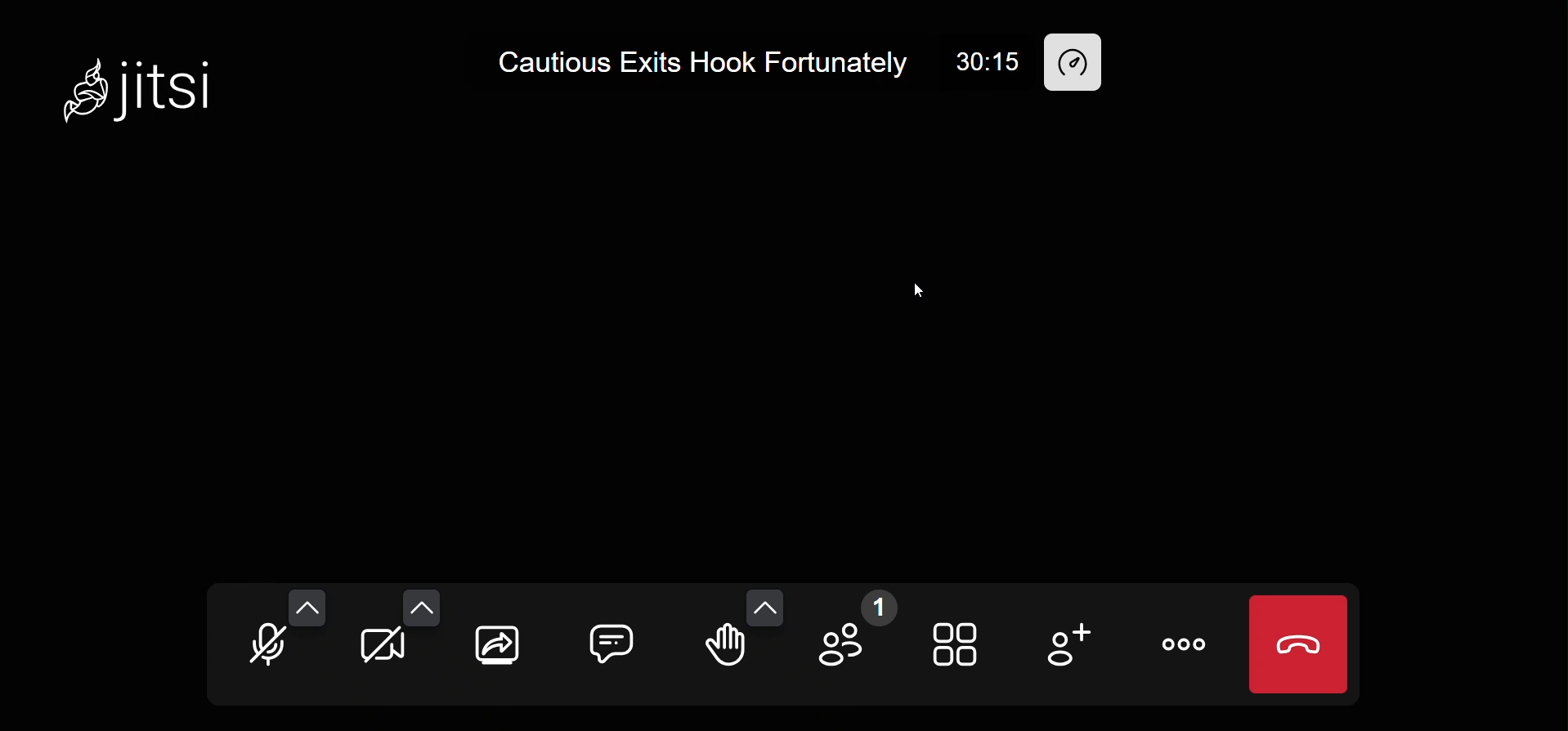  Describe the element at coordinates (423, 606) in the screenshot. I see `more camera option` at that location.